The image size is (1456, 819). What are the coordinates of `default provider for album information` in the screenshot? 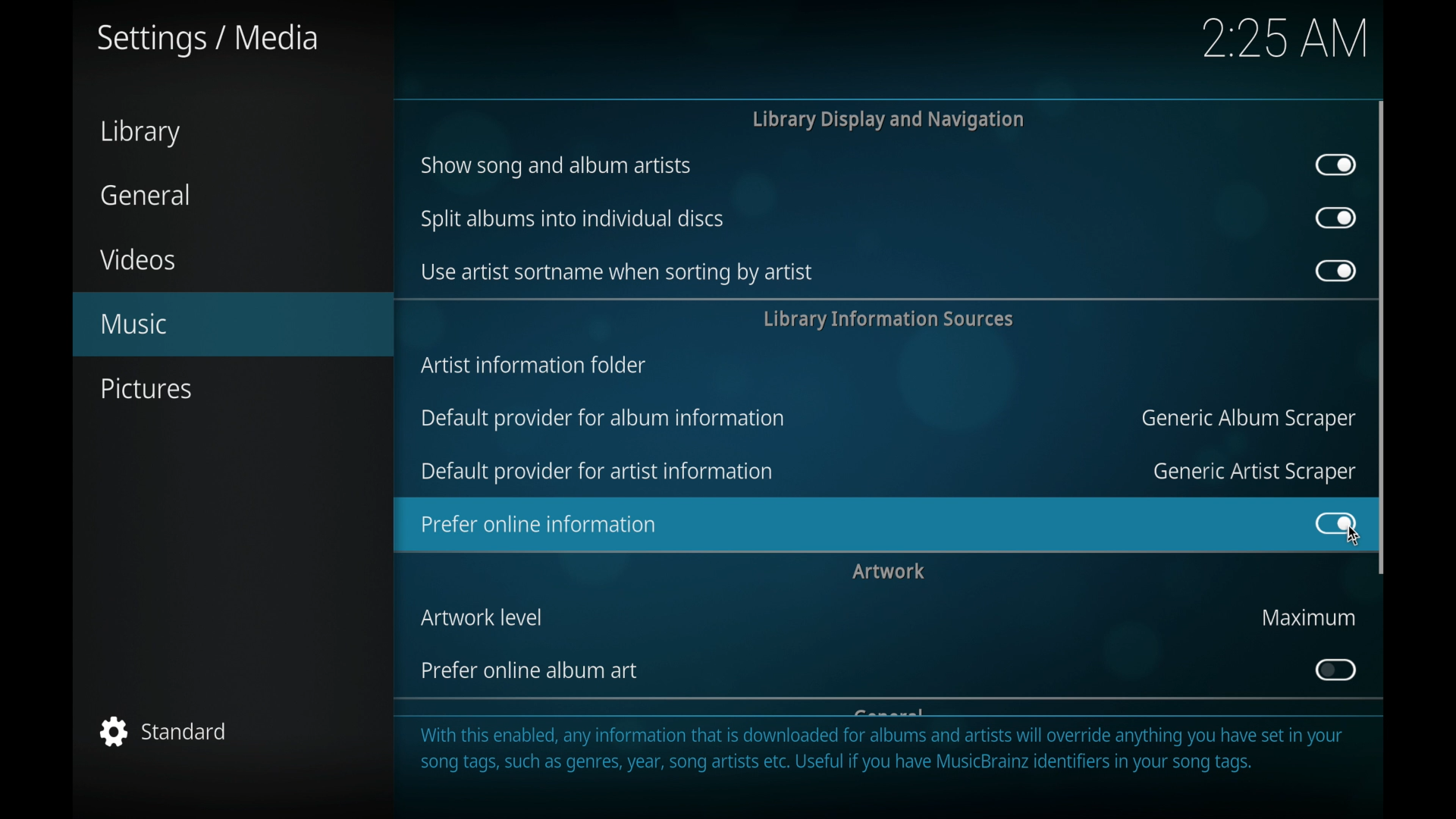 It's located at (605, 419).